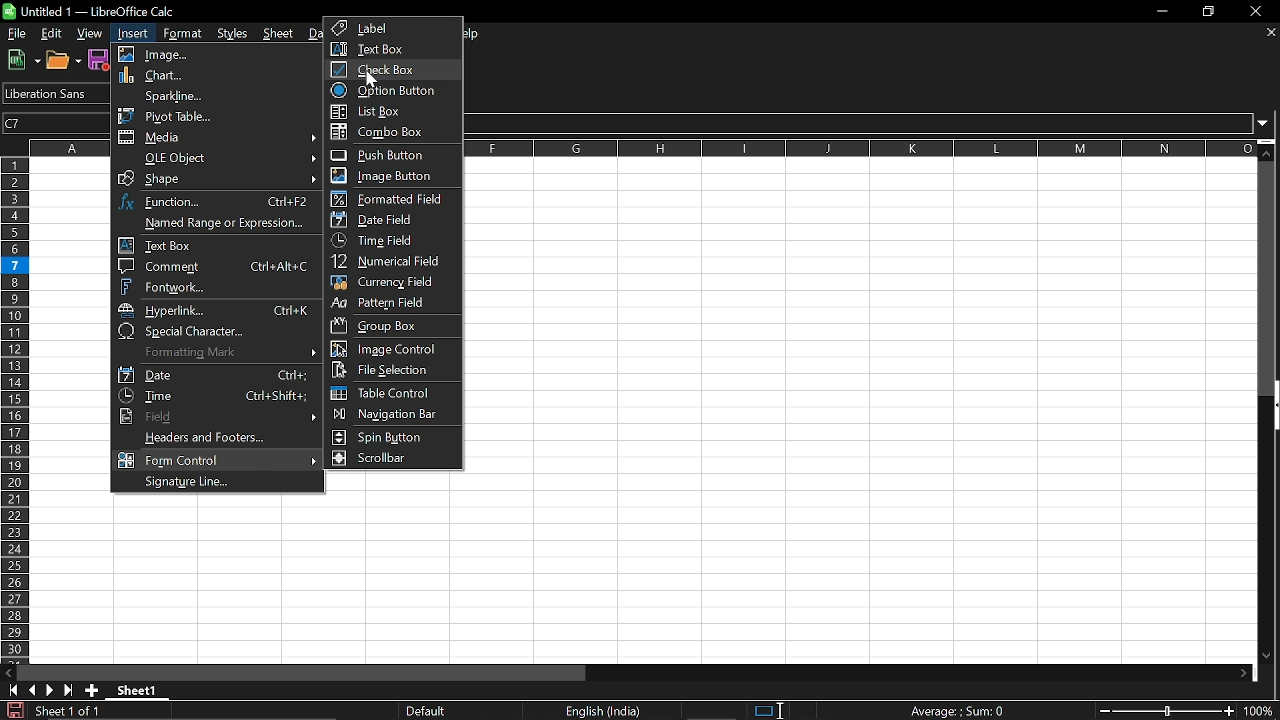 This screenshot has height=720, width=1280. Describe the element at coordinates (1243, 674) in the screenshot. I see `Move right` at that location.